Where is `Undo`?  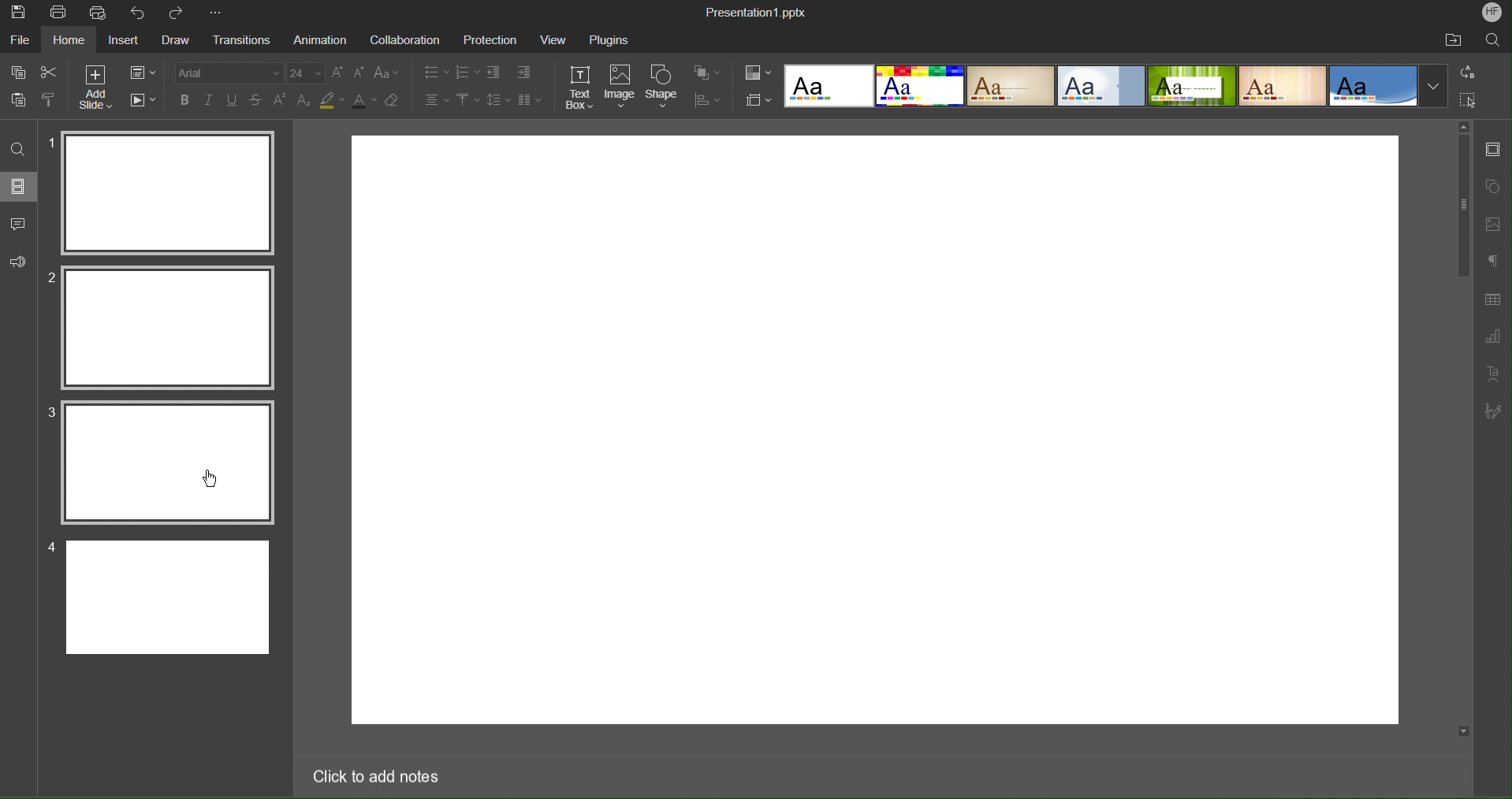
Undo is located at coordinates (138, 13).